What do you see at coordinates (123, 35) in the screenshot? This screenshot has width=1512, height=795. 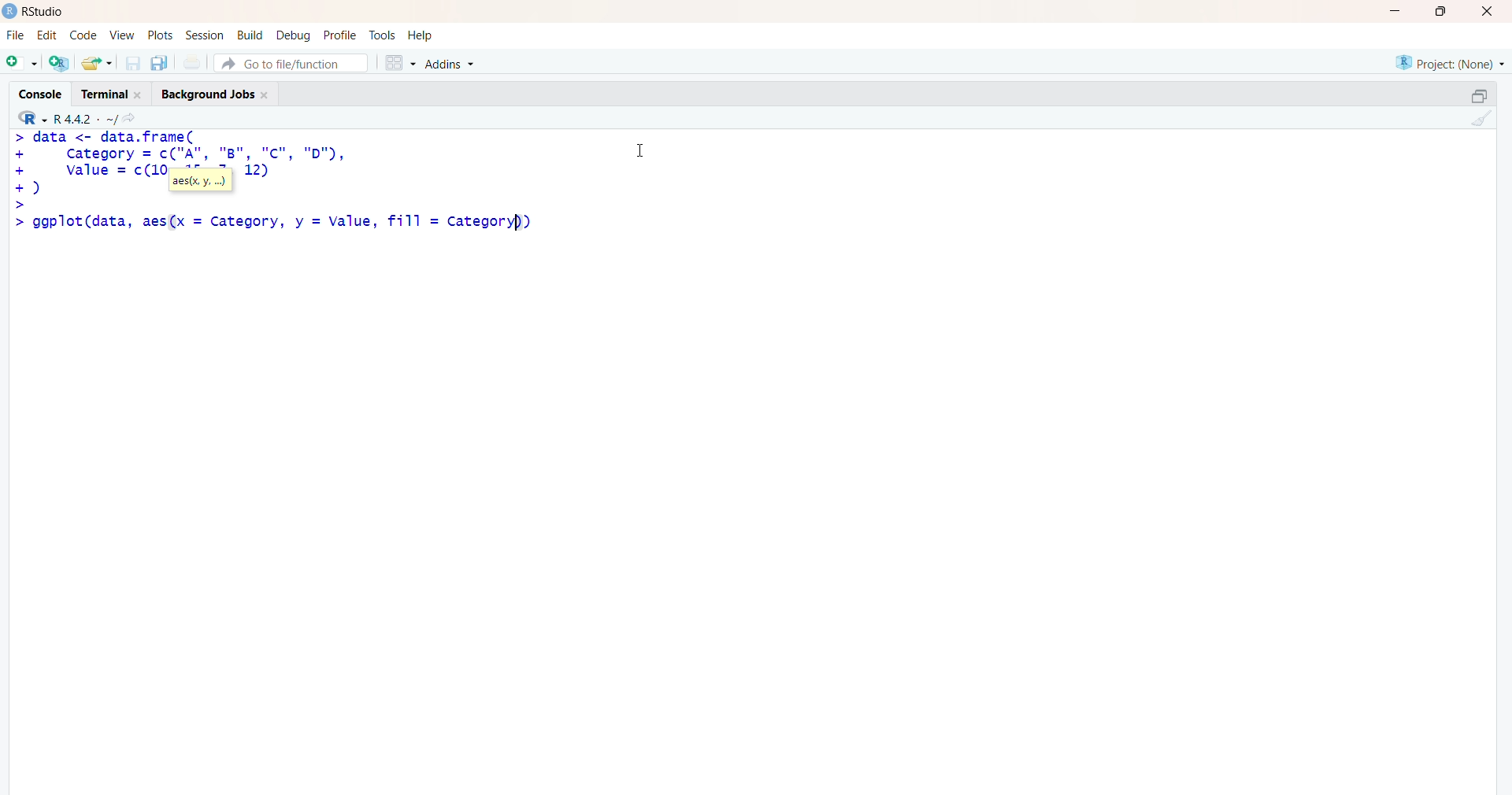 I see `View` at bounding box center [123, 35].